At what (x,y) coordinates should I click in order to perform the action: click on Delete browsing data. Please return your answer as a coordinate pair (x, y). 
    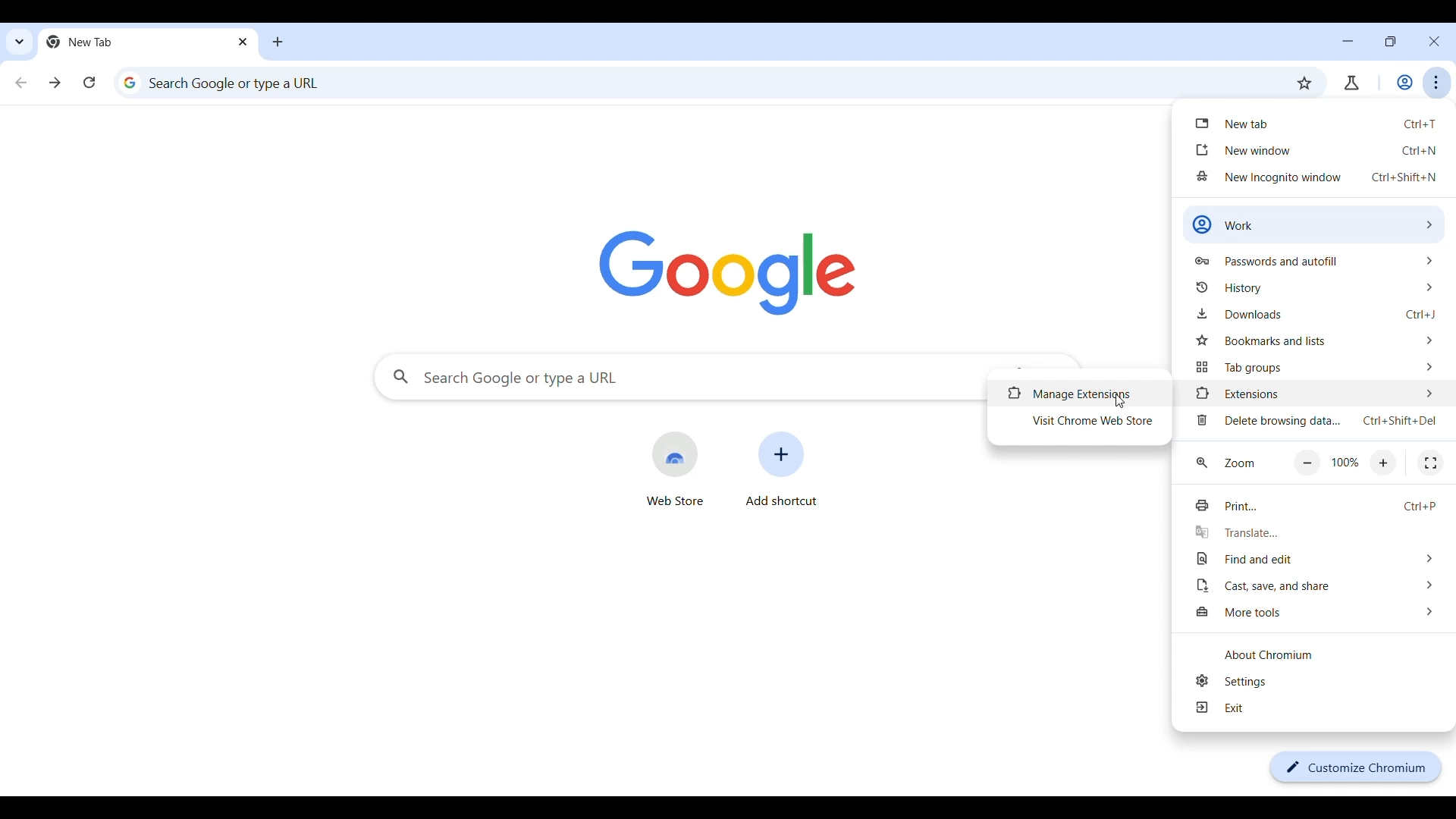
    Looking at the image, I should click on (1316, 420).